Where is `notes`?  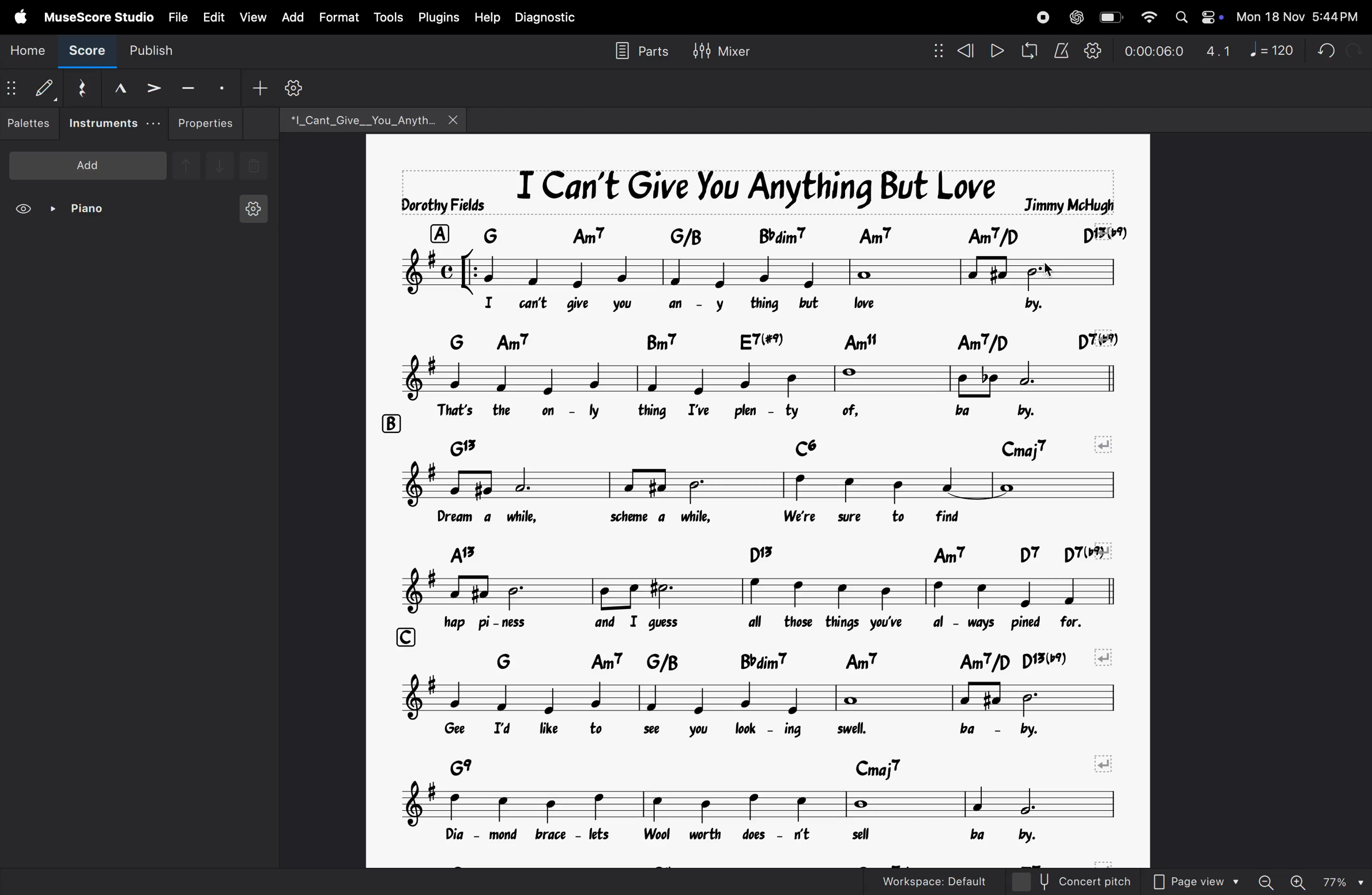
notes is located at coordinates (755, 699).